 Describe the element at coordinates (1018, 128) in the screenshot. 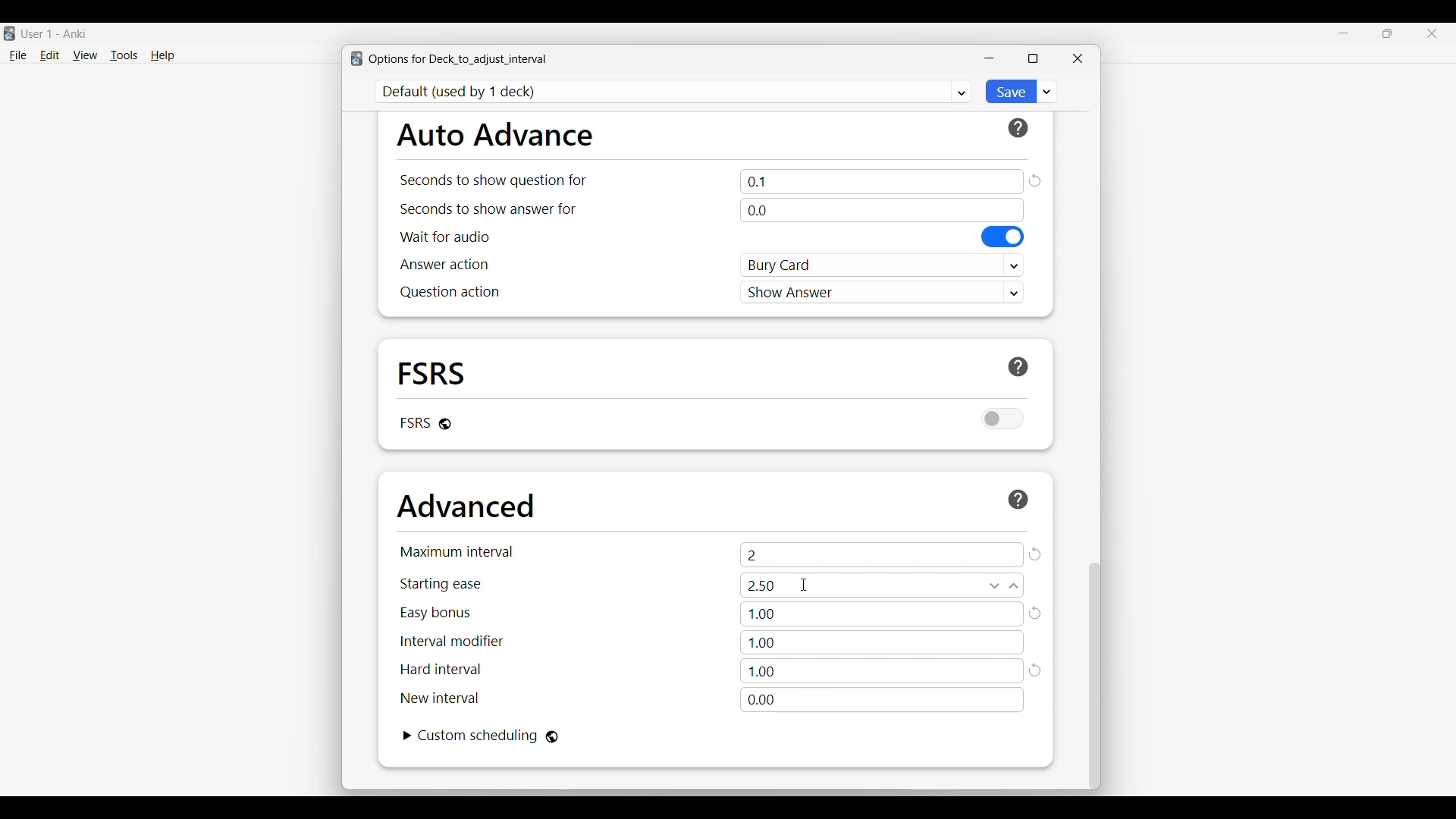

I see `Learn more about respective section` at that location.